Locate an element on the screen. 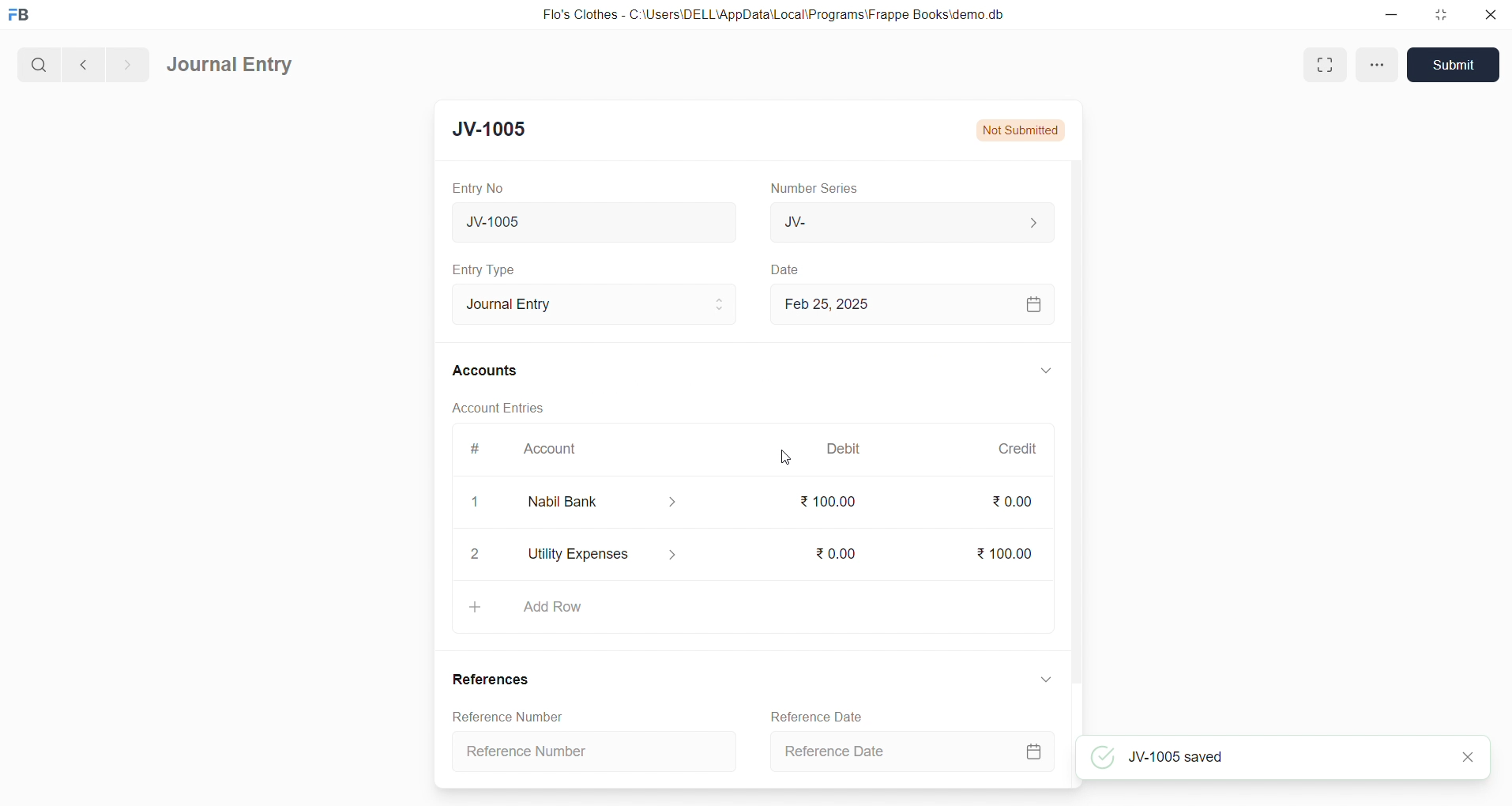 Image resolution: width=1512 pixels, height=806 pixels. logo is located at coordinates (23, 16).